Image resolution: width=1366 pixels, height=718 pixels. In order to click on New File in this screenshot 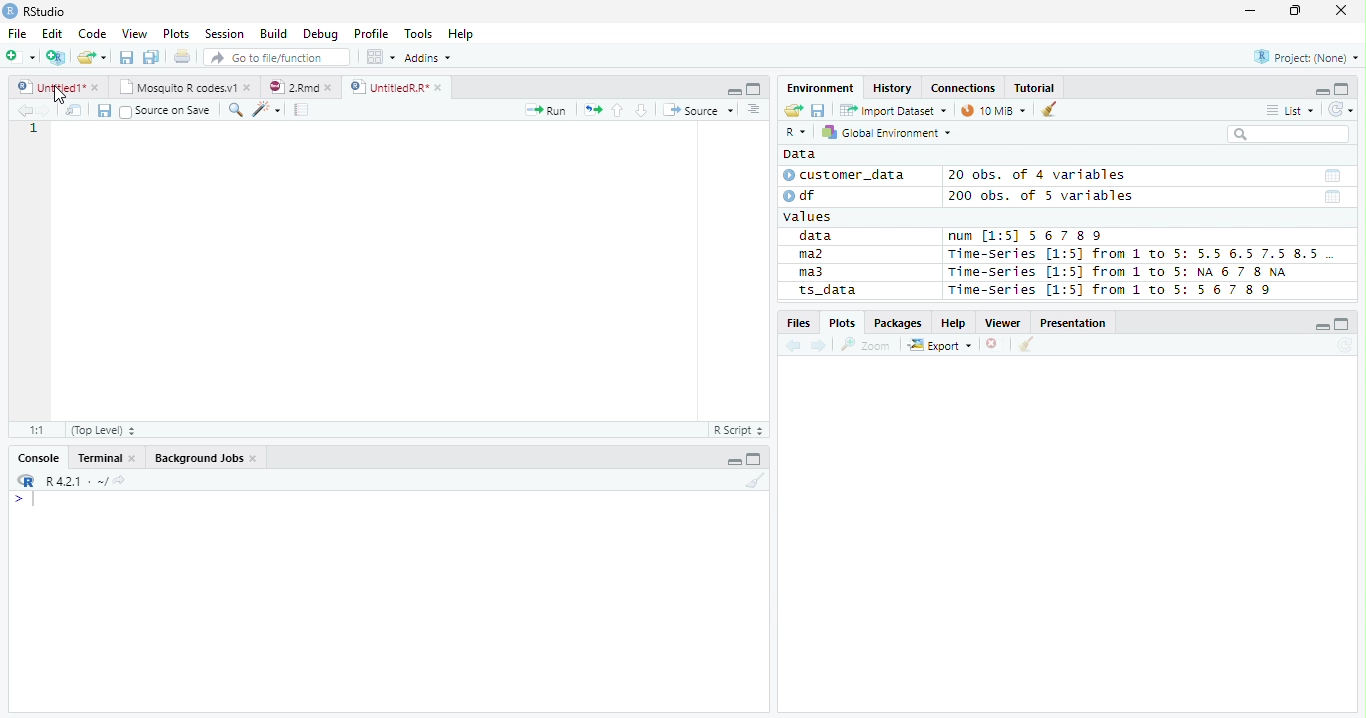, I will do `click(21, 56)`.